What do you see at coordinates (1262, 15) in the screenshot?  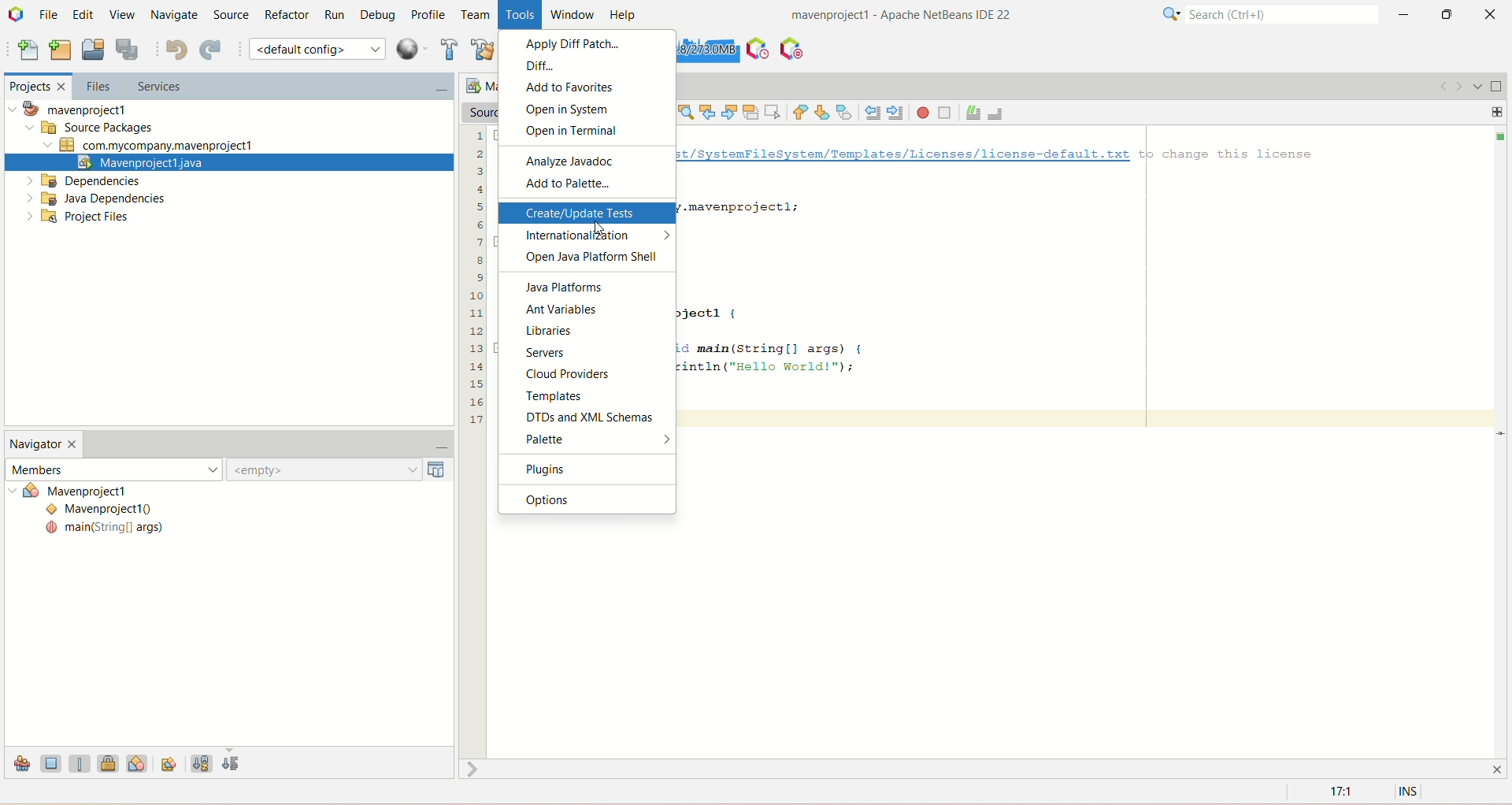 I see `search(ctrl+e)` at bounding box center [1262, 15].